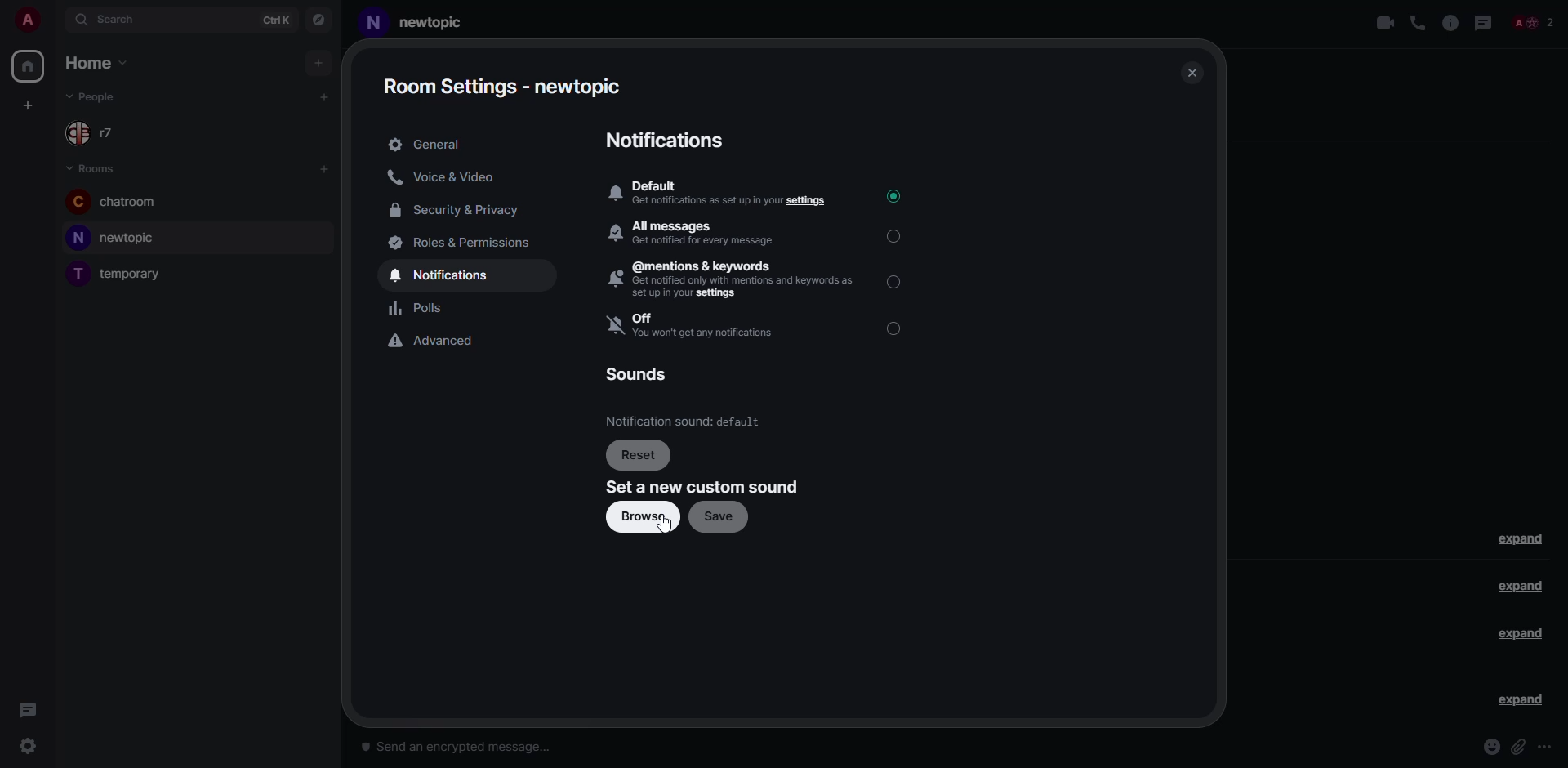  I want to click on voice, so click(447, 176).